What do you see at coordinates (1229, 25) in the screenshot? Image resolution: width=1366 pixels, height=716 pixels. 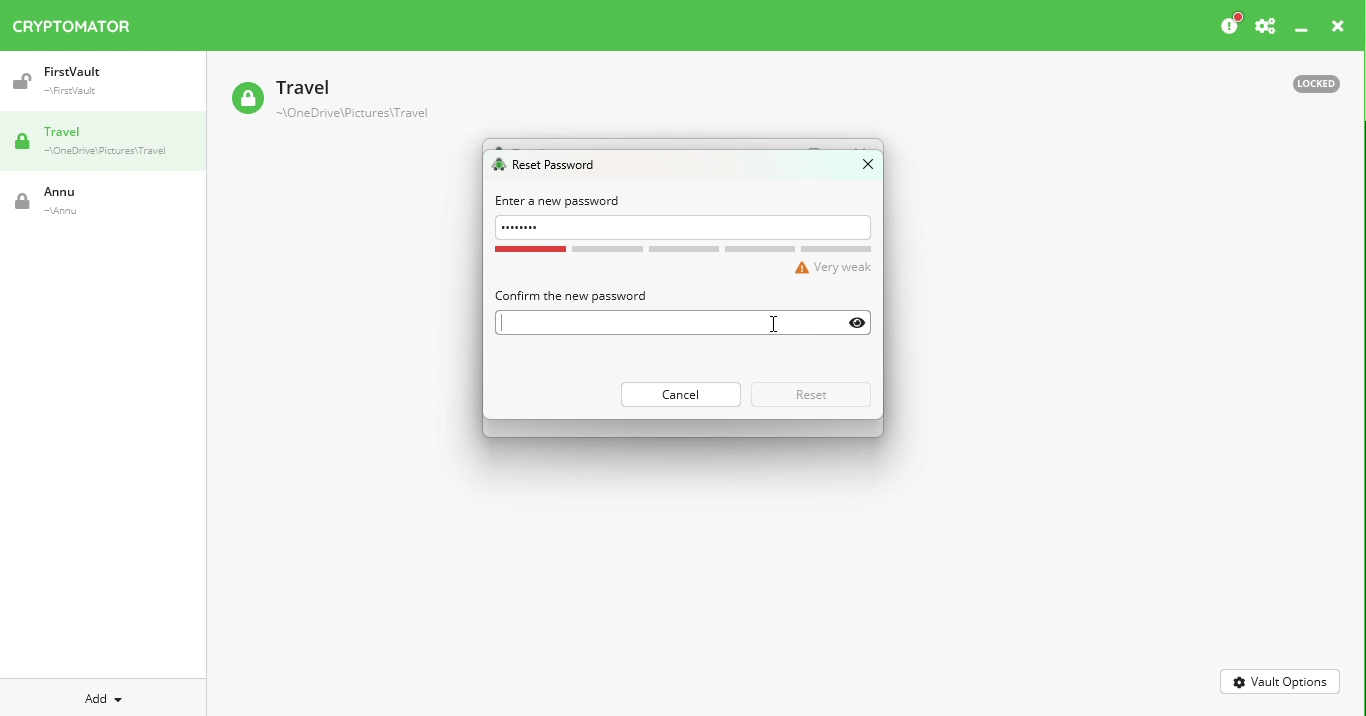 I see `Please consider donating` at bounding box center [1229, 25].